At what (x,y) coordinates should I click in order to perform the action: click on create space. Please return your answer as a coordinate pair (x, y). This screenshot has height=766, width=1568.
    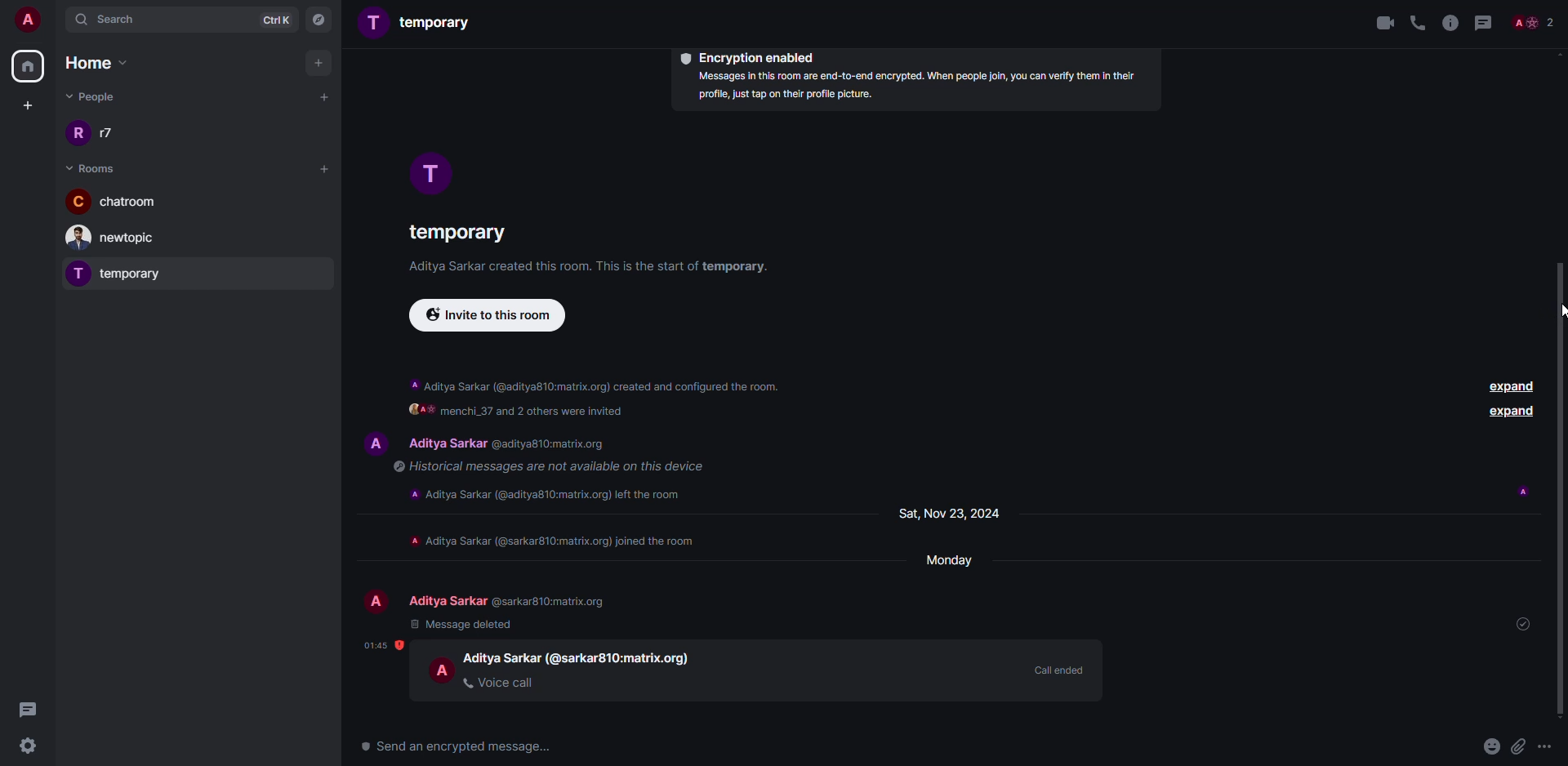
    Looking at the image, I should click on (28, 104).